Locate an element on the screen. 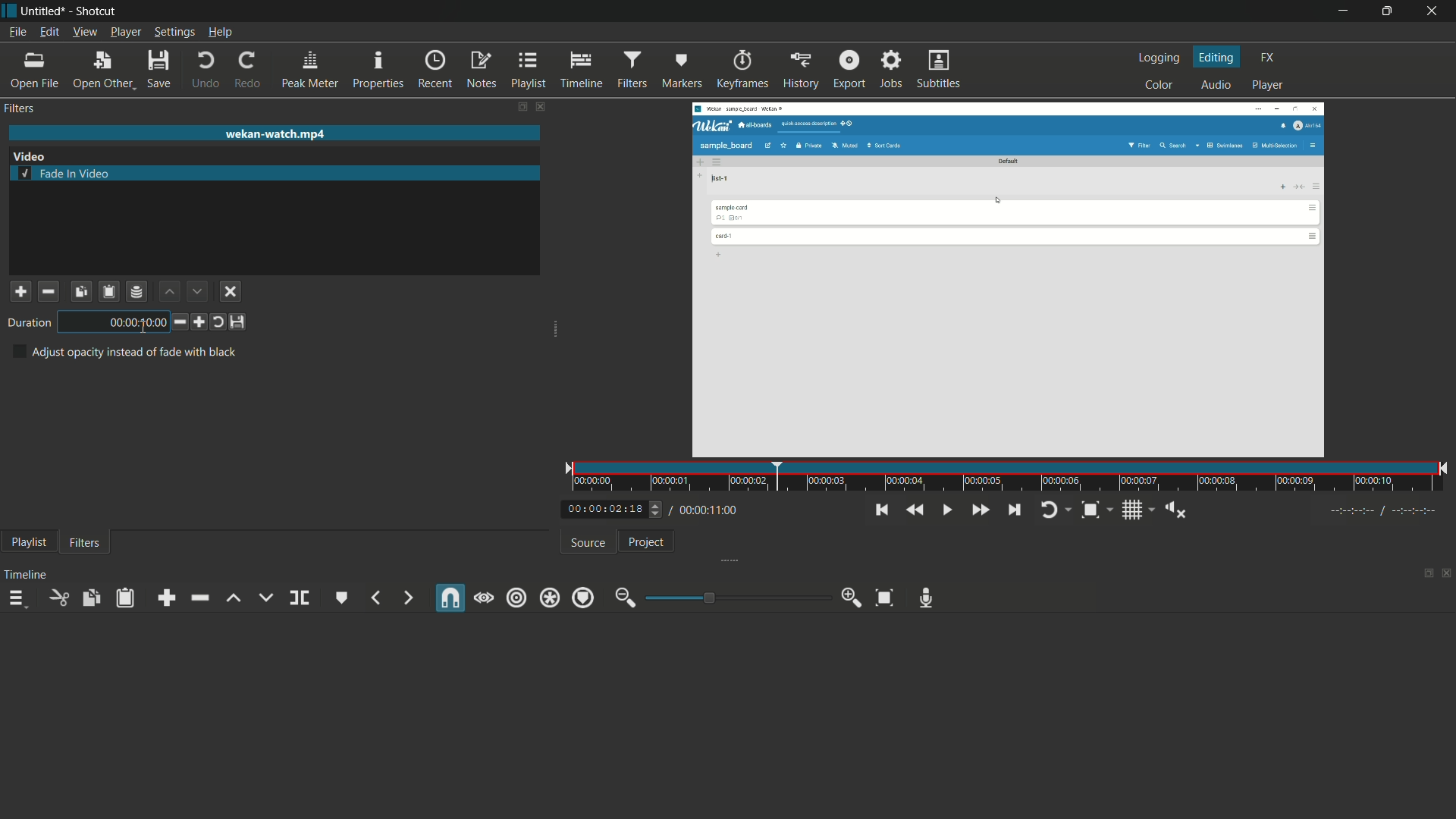  maximize is located at coordinates (1389, 11).